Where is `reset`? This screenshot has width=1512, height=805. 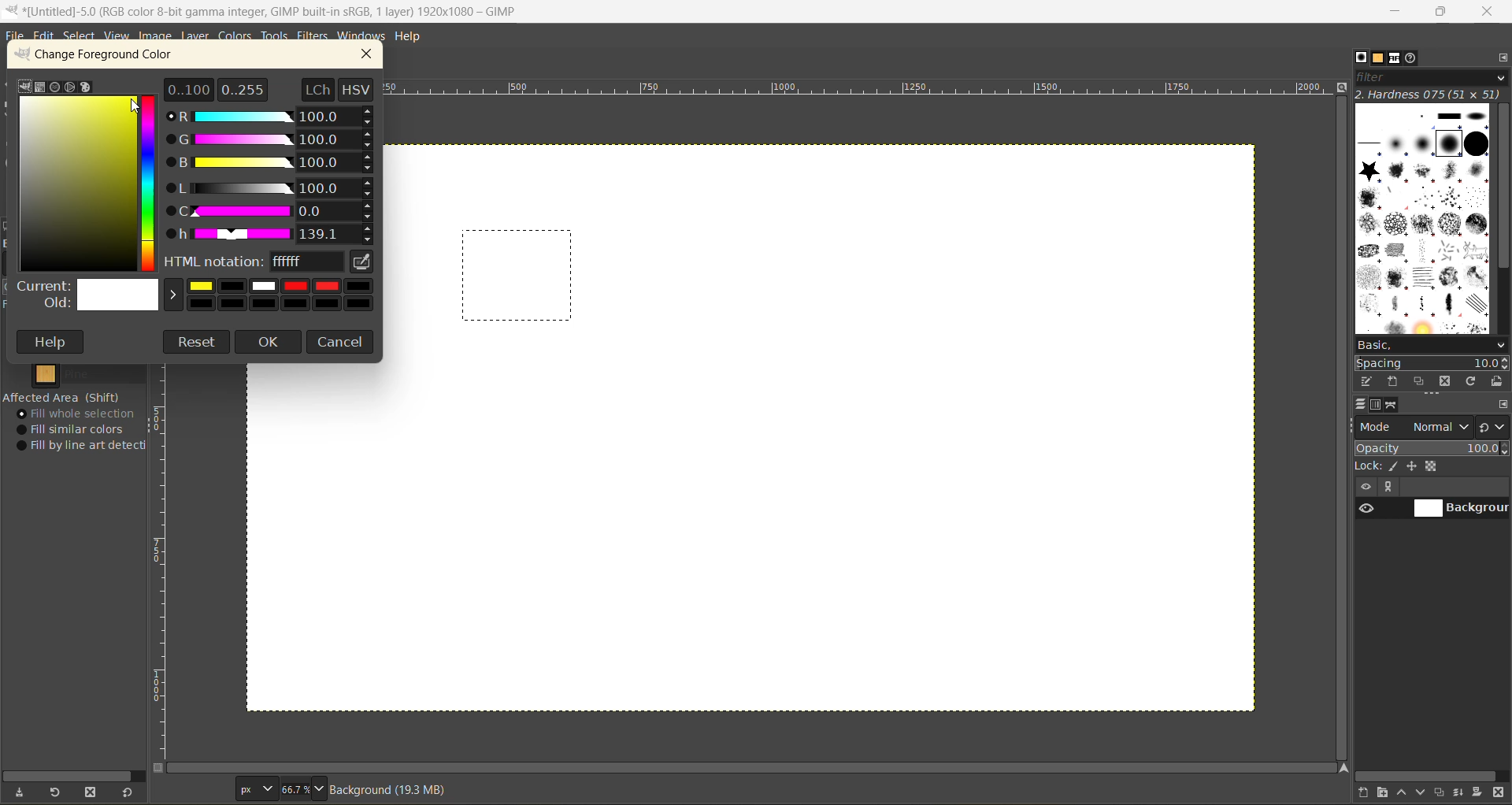 reset is located at coordinates (197, 342).